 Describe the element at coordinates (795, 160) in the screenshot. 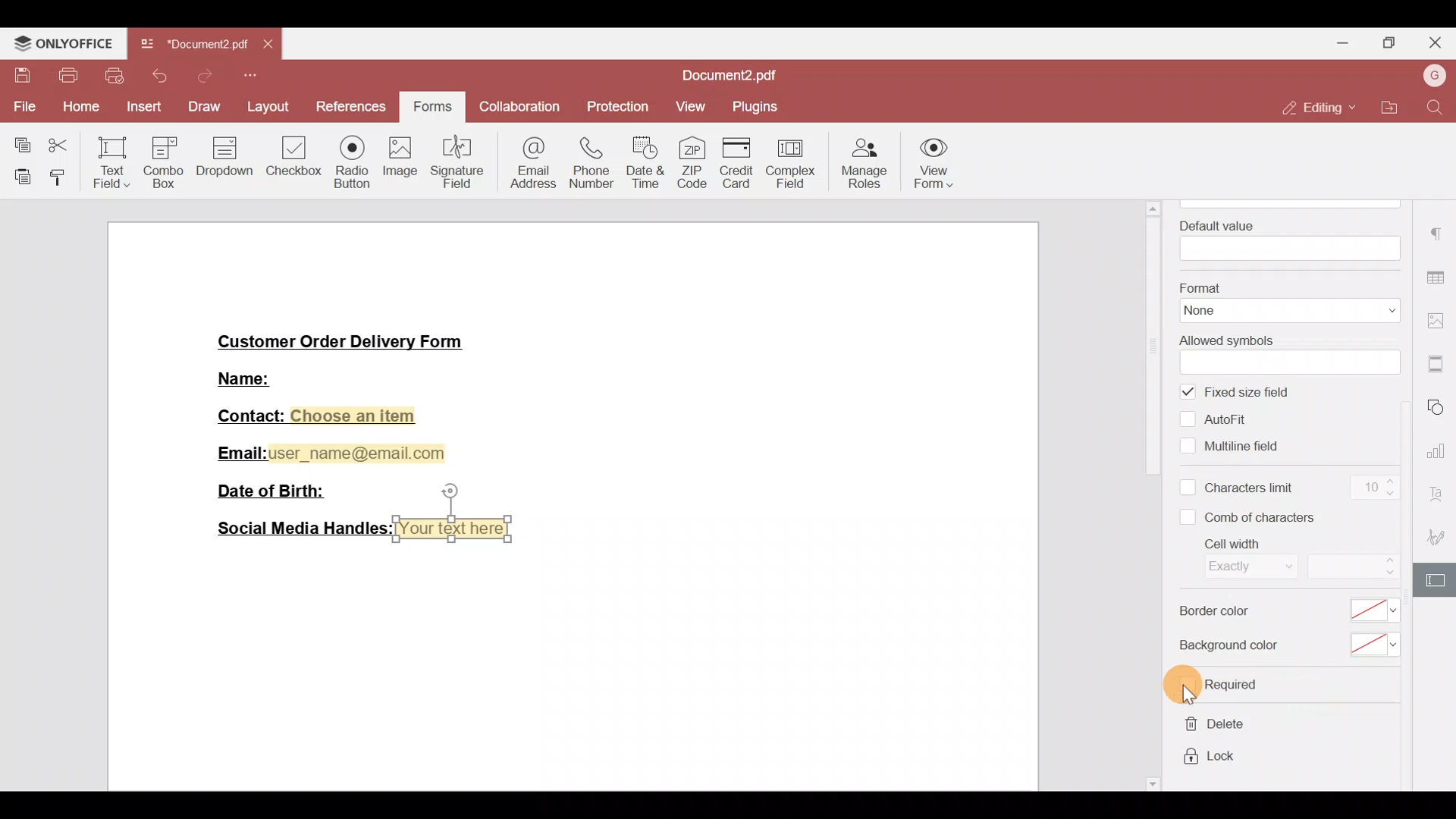

I see `Complex field` at that location.